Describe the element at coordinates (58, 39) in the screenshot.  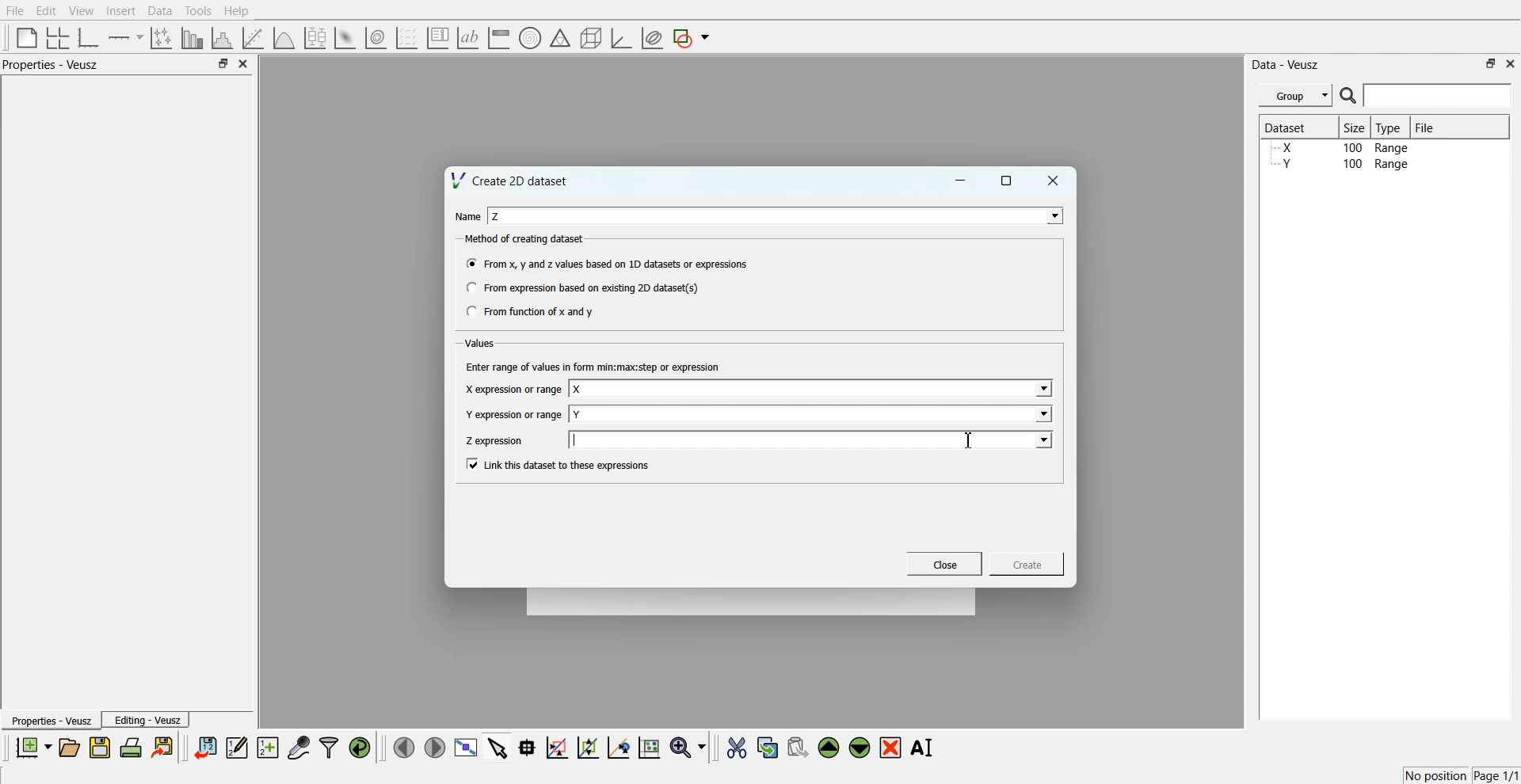
I see `Arrange graph in grid` at that location.